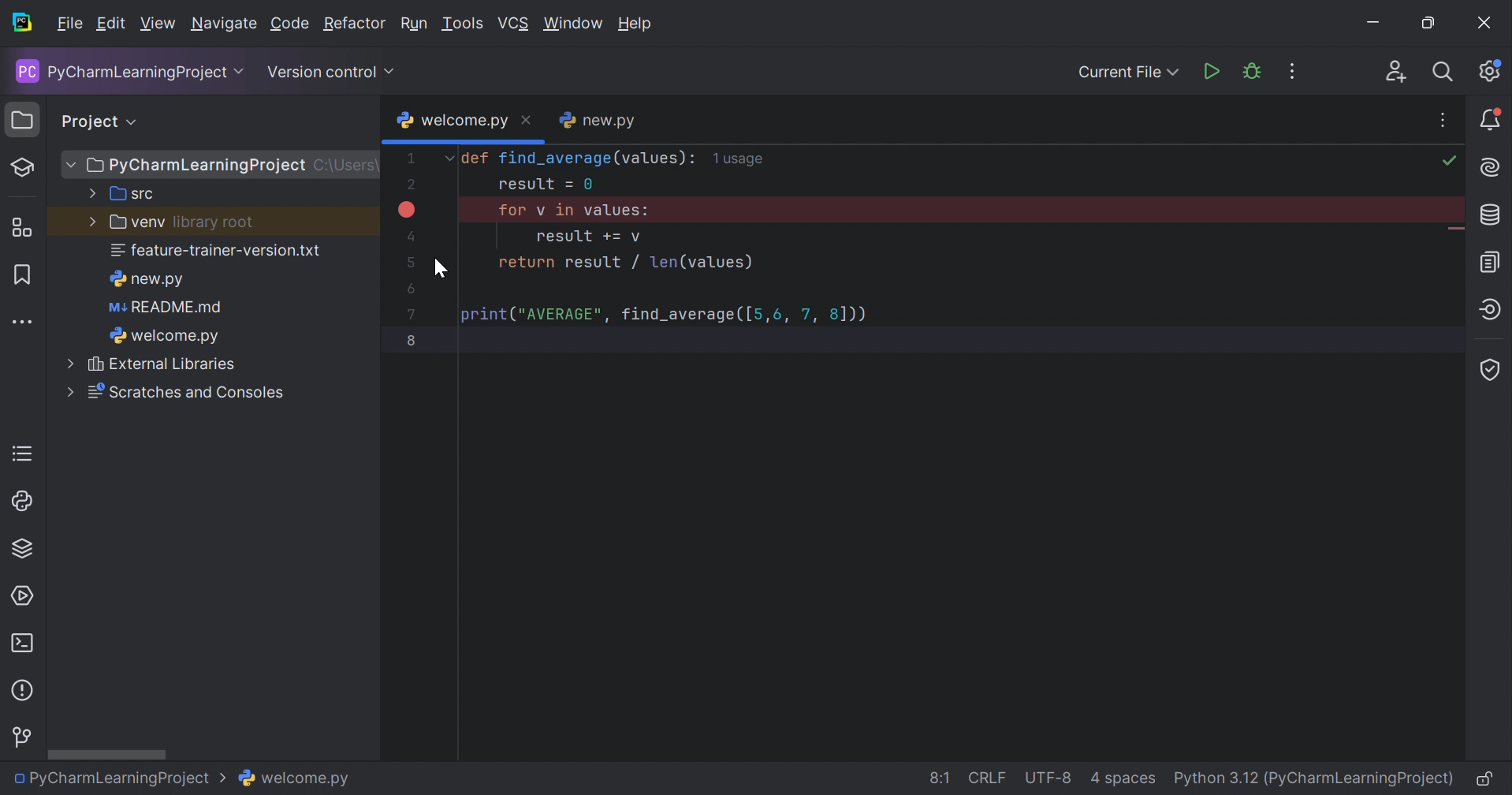 The width and height of the screenshot is (1512, 795). What do you see at coordinates (1489, 167) in the screenshot?
I see `AI Assistant` at bounding box center [1489, 167].